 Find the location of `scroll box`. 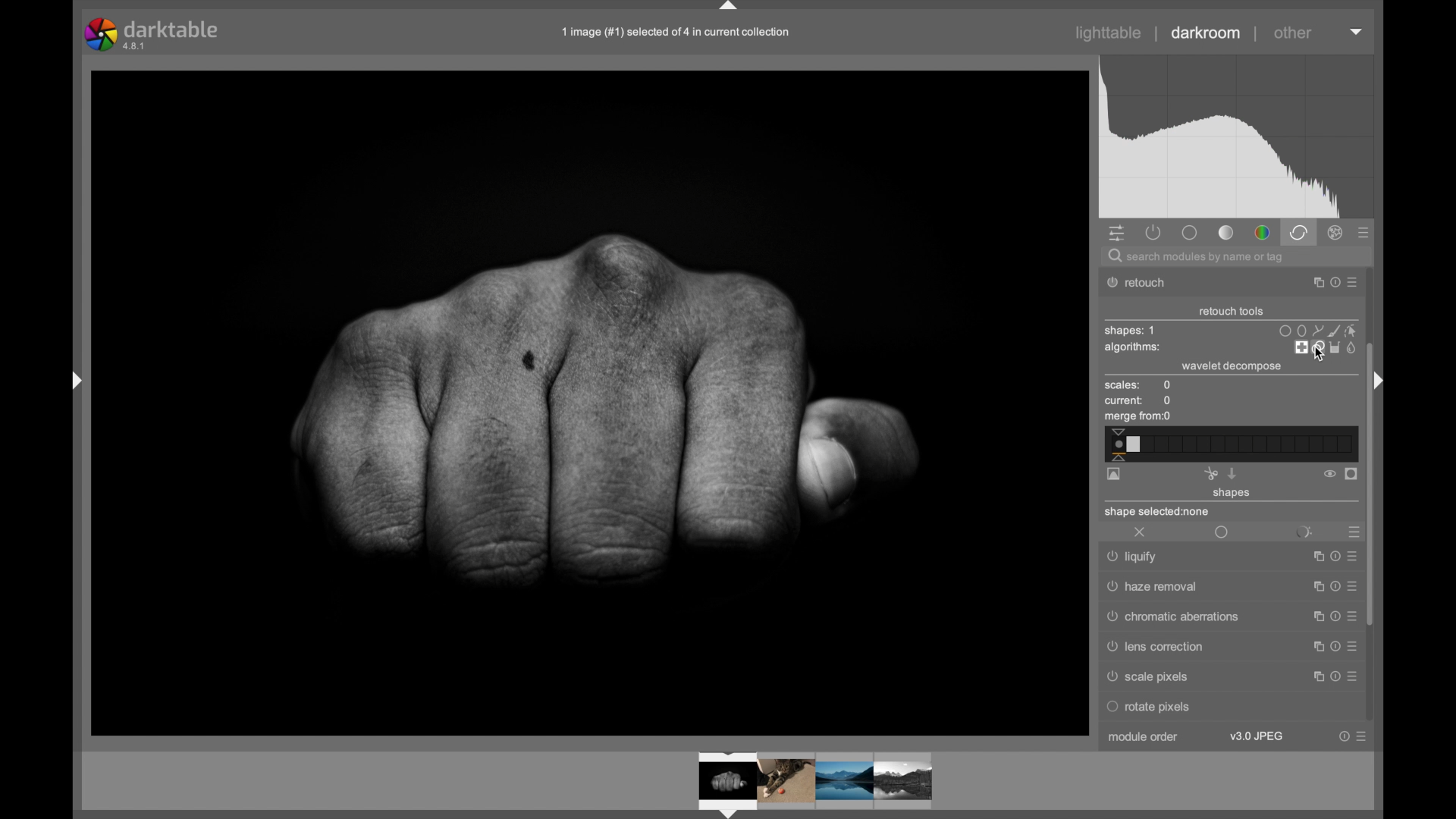

scroll box is located at coordinates (1371, 483).